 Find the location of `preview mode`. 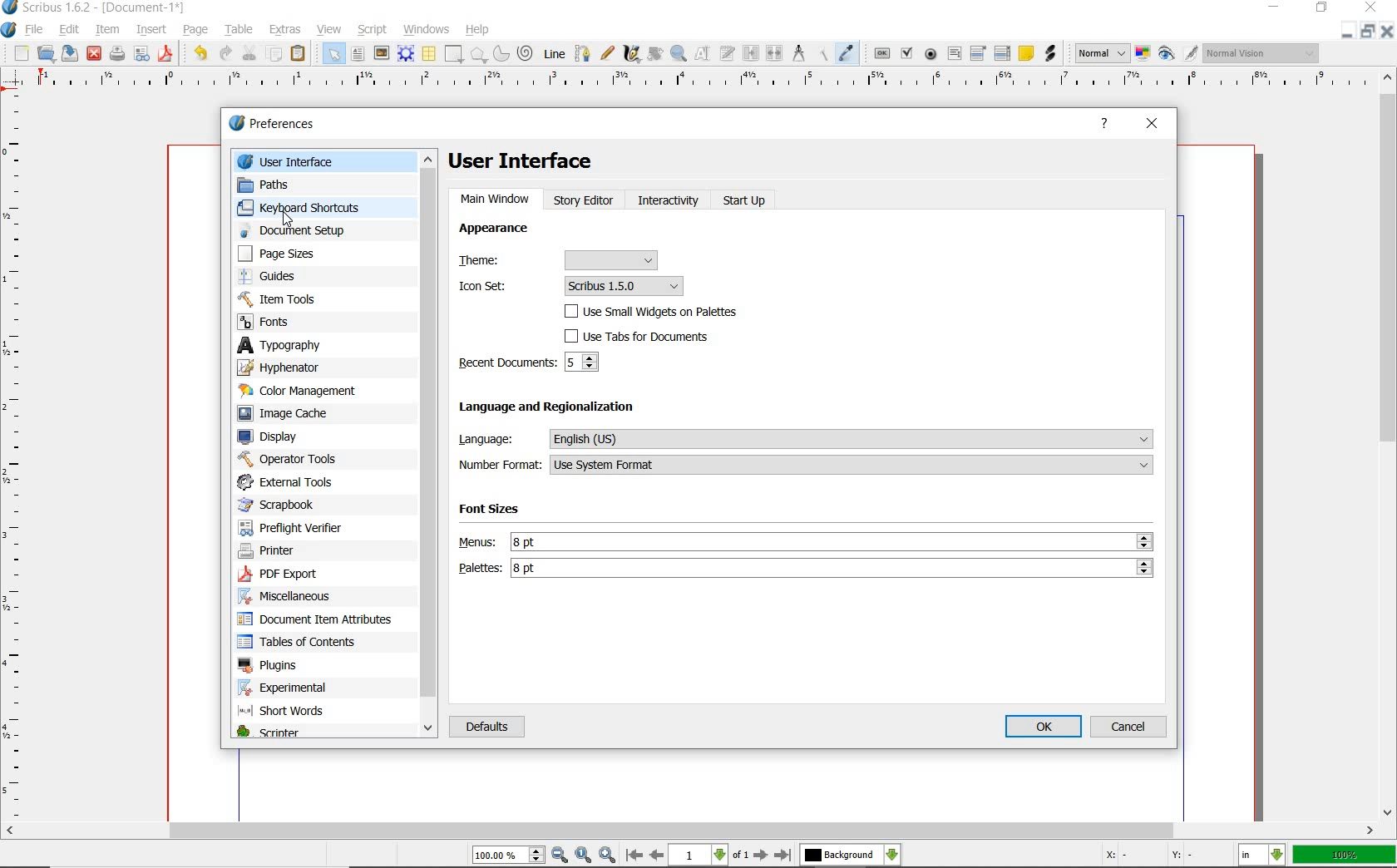

preview mode is located at coordinates (1177, 53).